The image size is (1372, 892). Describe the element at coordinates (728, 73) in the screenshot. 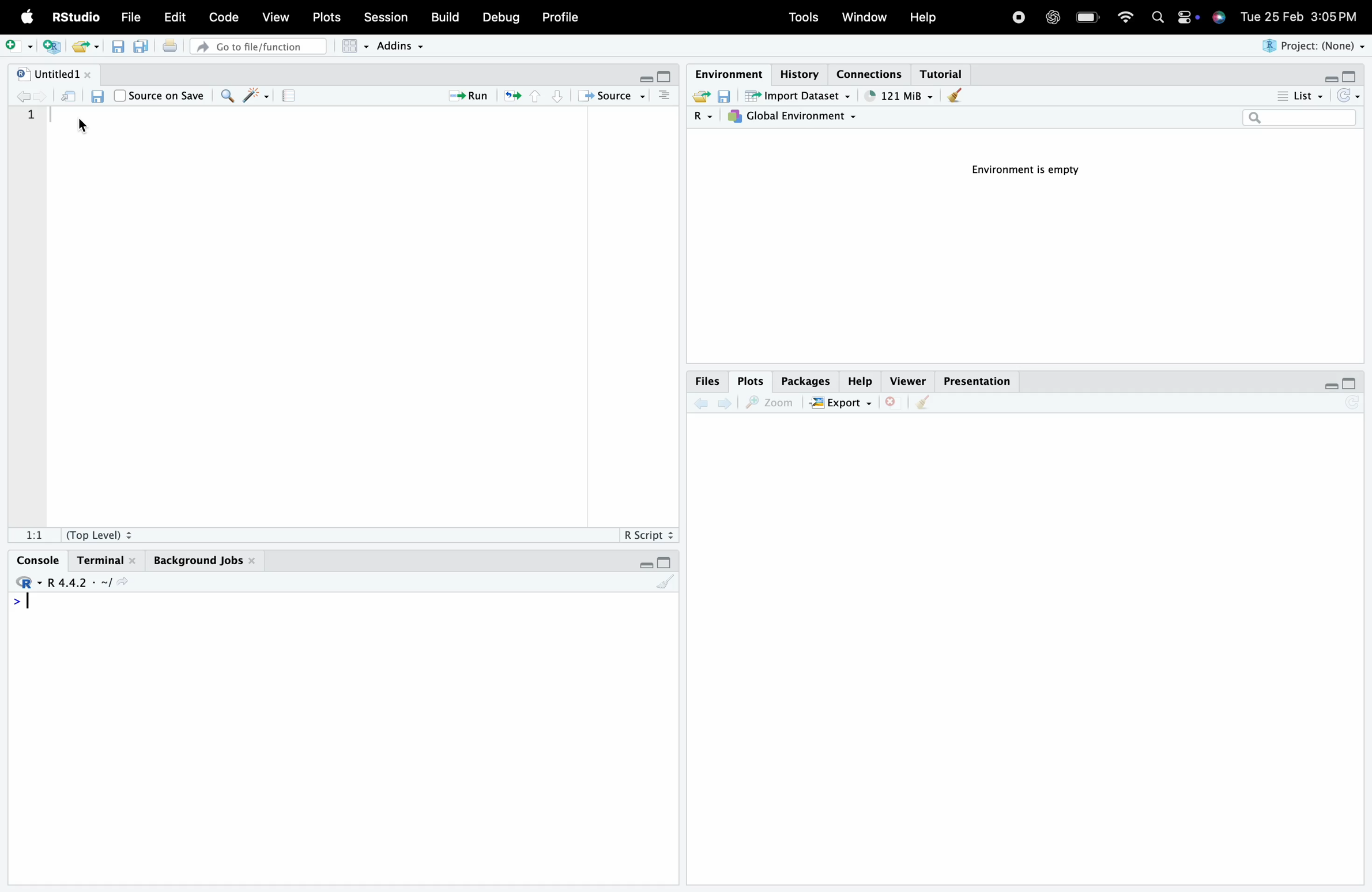

I see `Environment` at that location.